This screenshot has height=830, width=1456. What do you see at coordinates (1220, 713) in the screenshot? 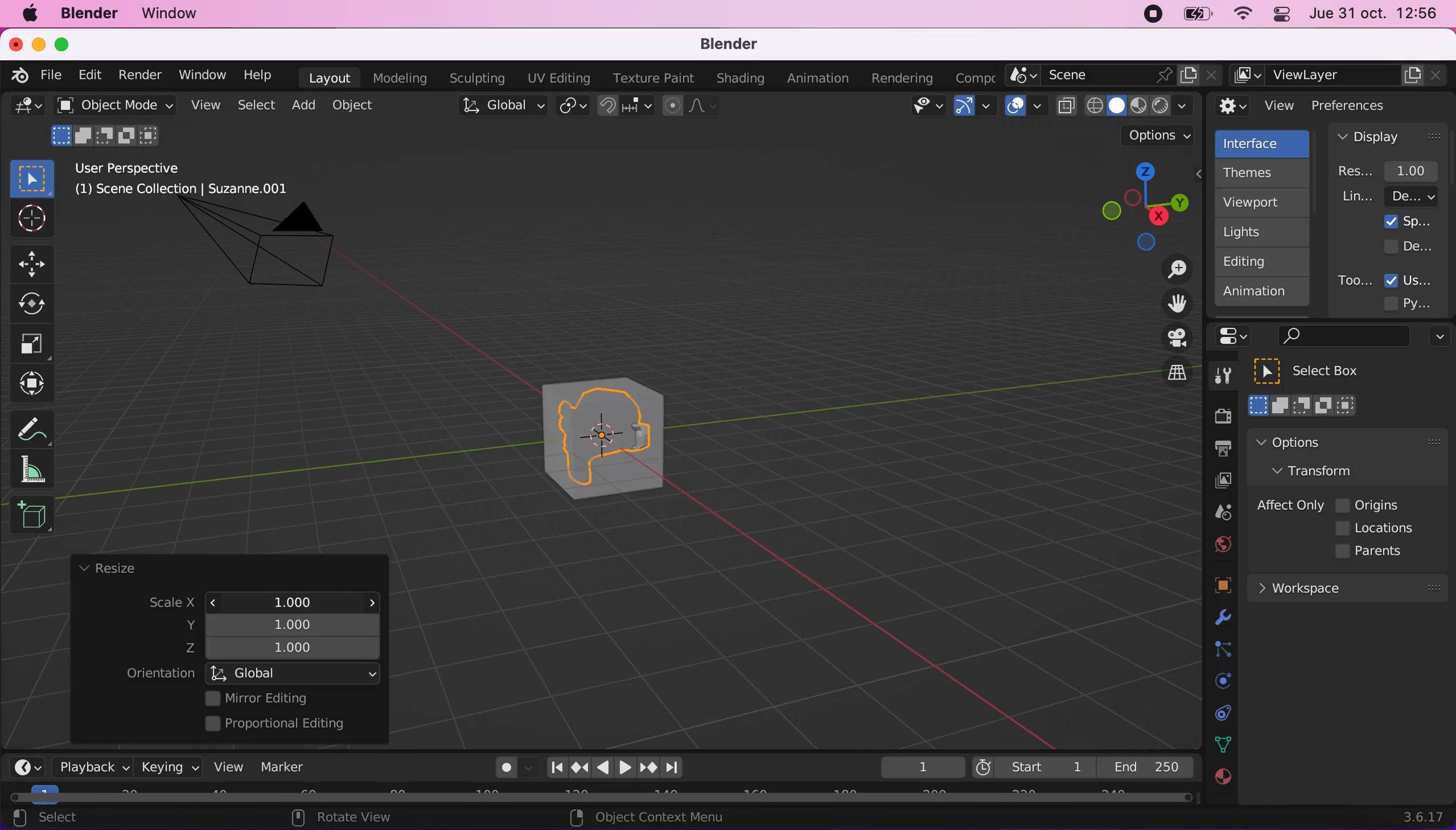
I see `collection` at bounding box center [1220, 713].